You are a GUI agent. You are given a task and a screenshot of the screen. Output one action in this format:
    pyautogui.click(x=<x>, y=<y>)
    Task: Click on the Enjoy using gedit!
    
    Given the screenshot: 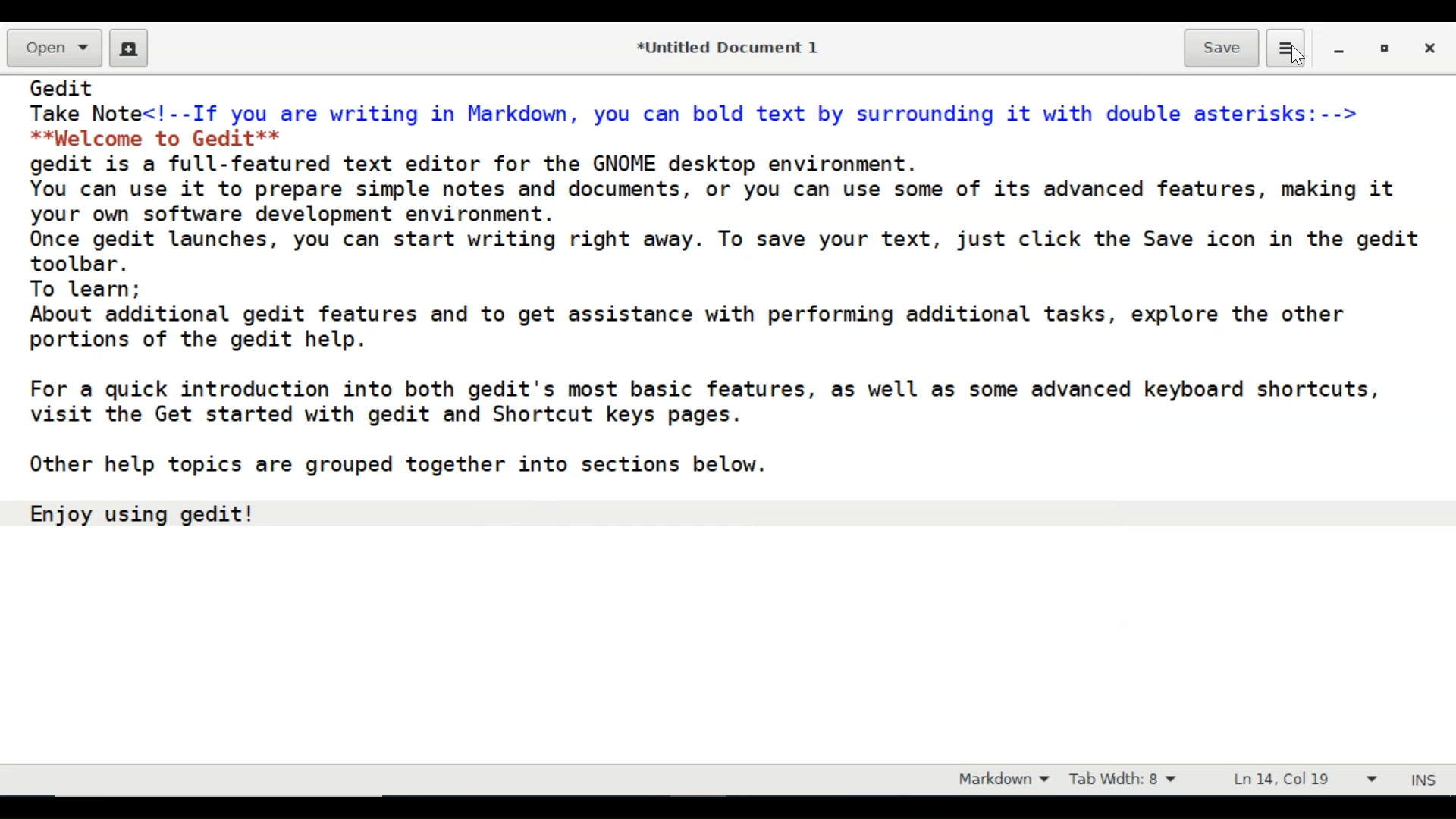 What is the action you would take?
    pyautogui.click(x=143, y=513)
    